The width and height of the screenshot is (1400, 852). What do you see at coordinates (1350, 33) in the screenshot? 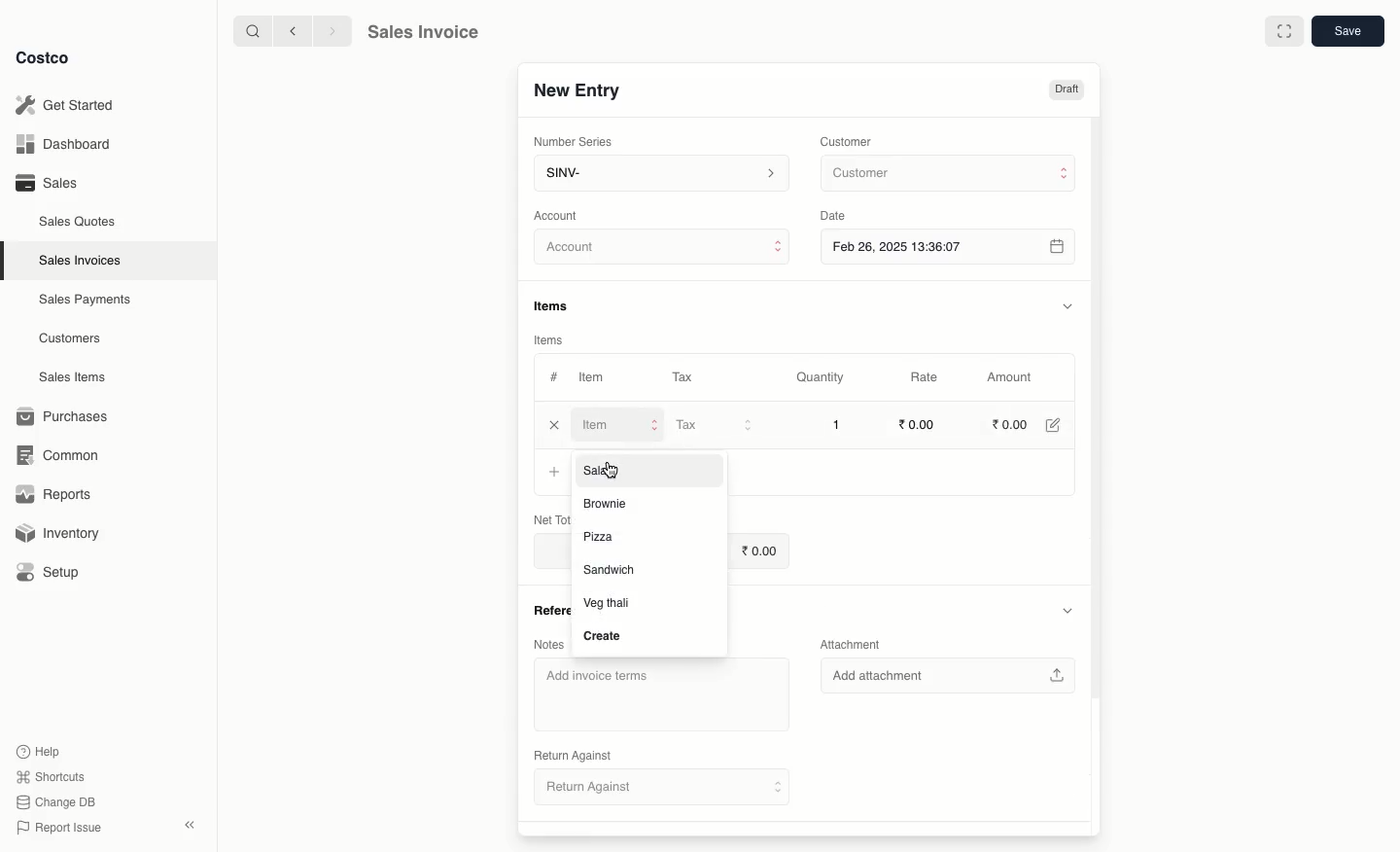
I see `Save` at bounding box center [1350, 33].